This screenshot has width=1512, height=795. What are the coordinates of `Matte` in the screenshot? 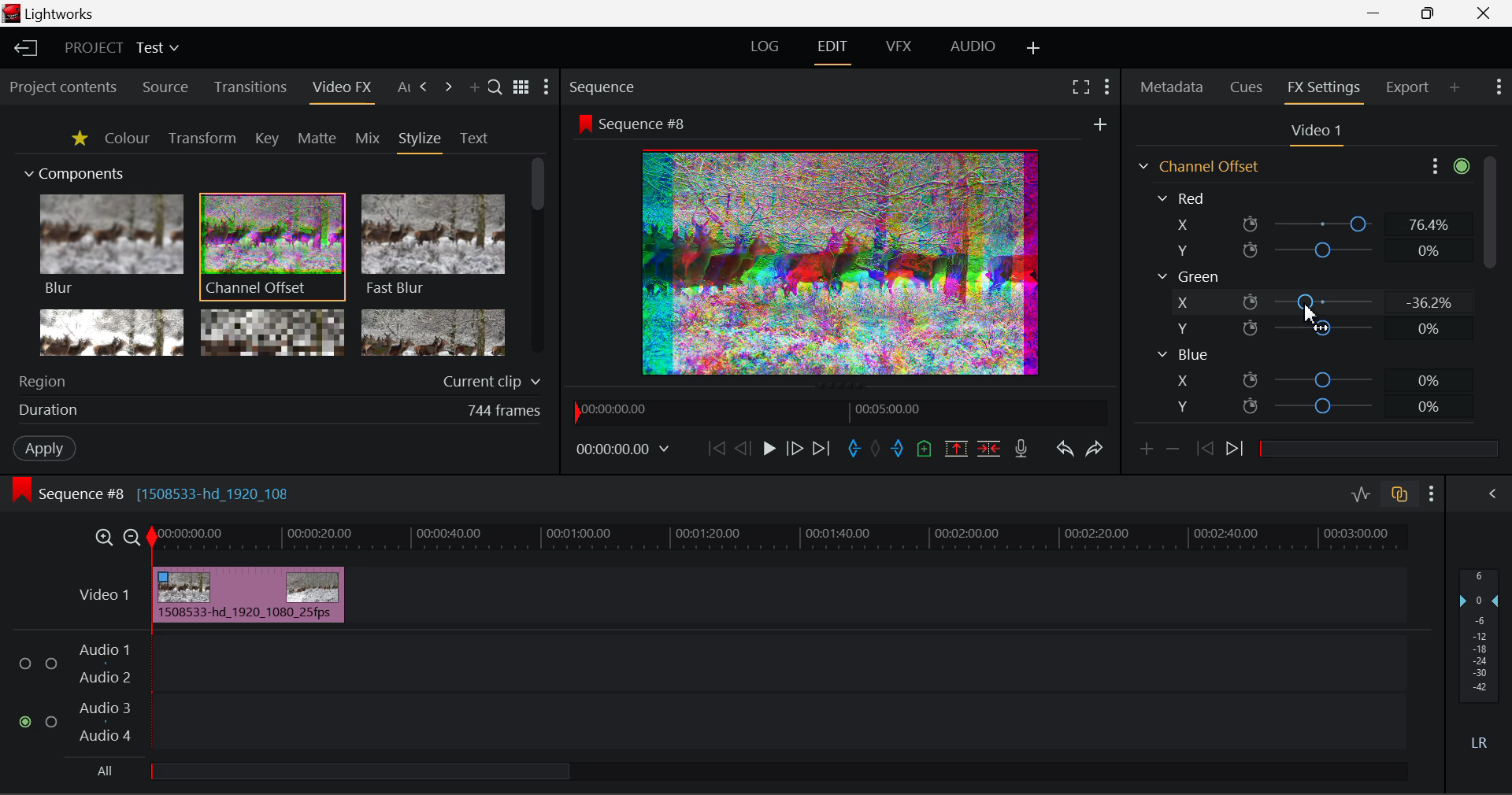 It's located at (317, 139).